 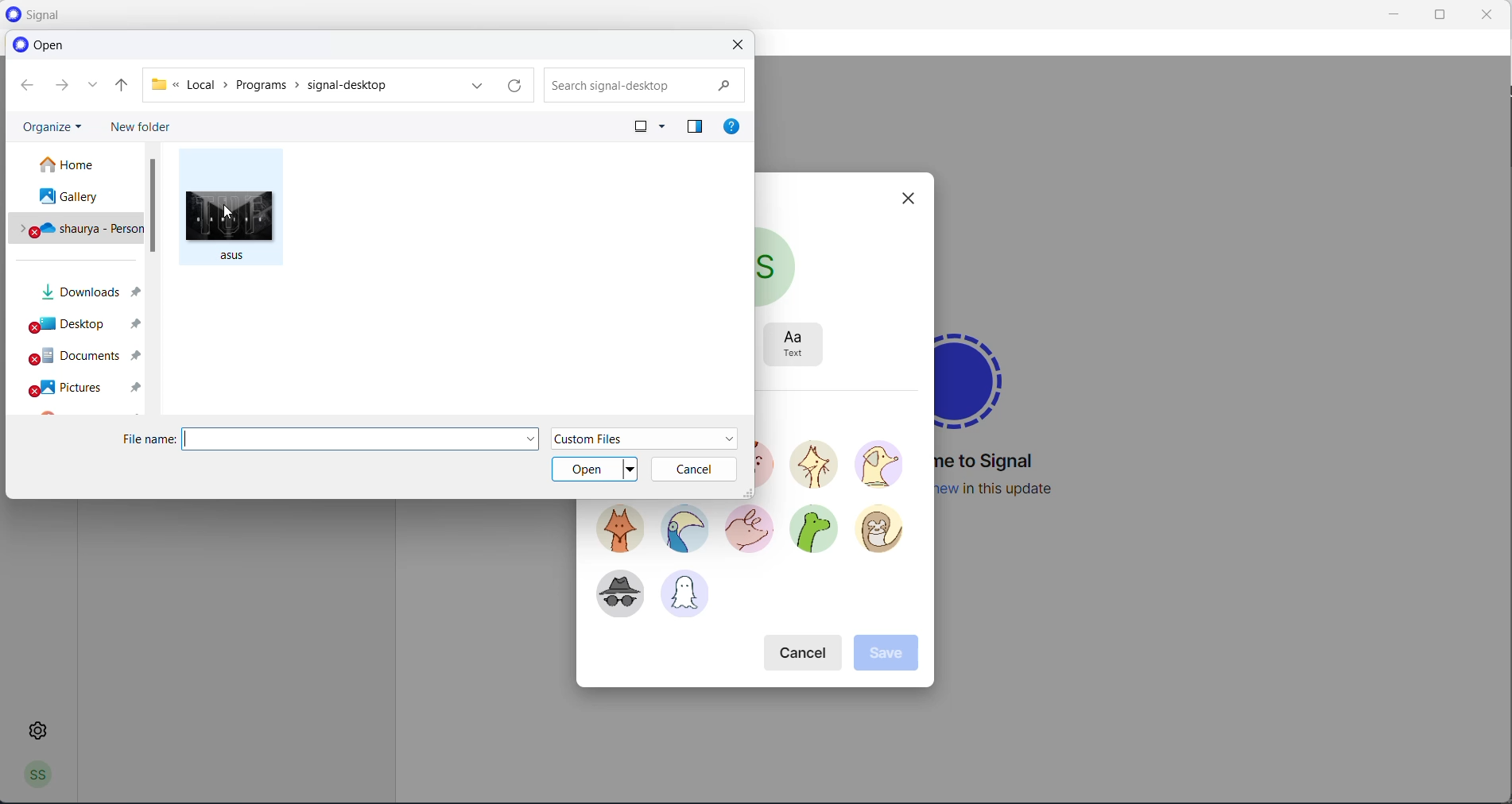 What do you see at coordinates (888, 654) in the screenshot?
I see `save` at bounding box center [888, 654].